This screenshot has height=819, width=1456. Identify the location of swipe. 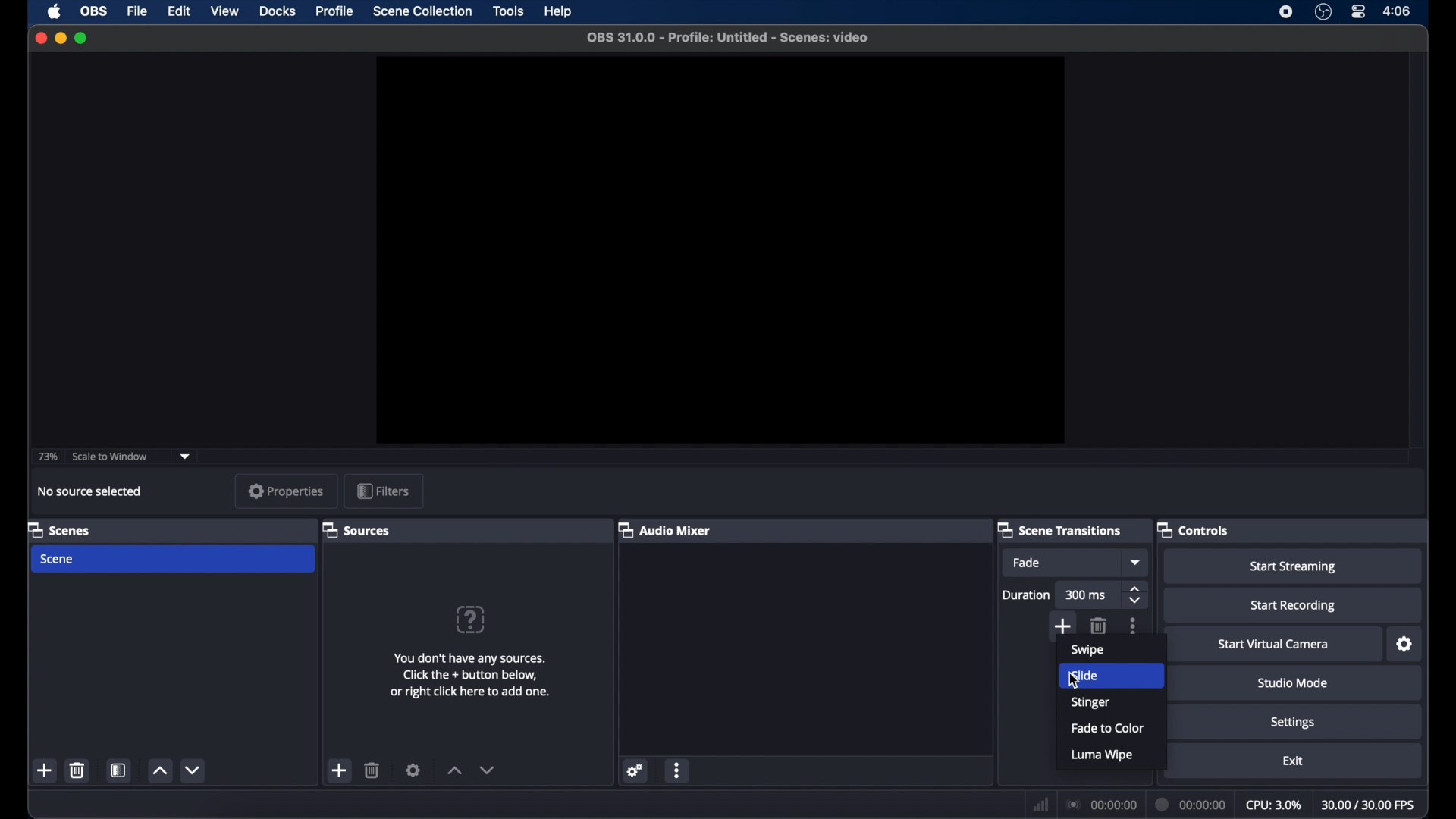
(1087, 650).